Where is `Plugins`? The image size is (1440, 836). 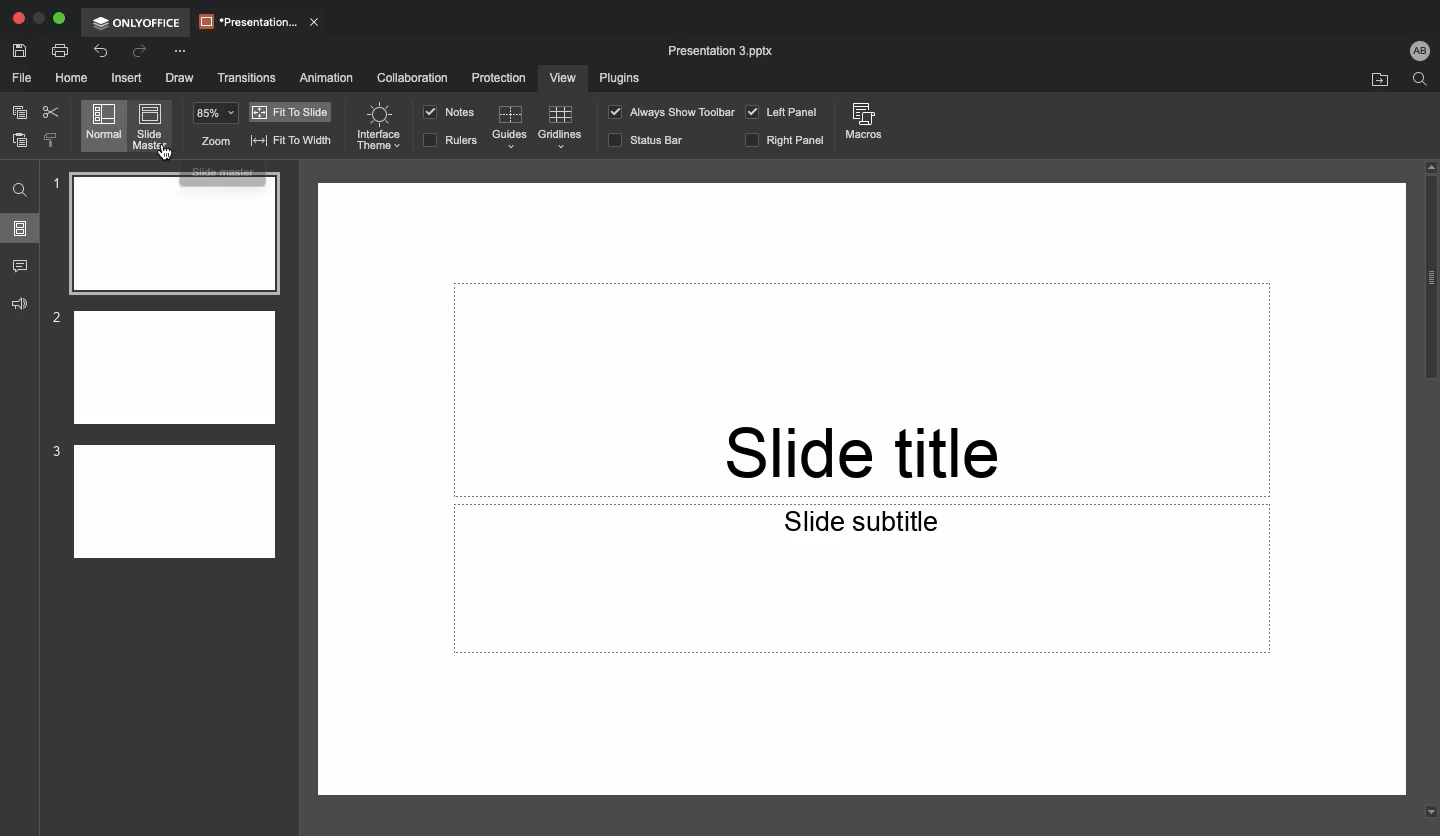
Plugins is located at coordinates (622, 78).